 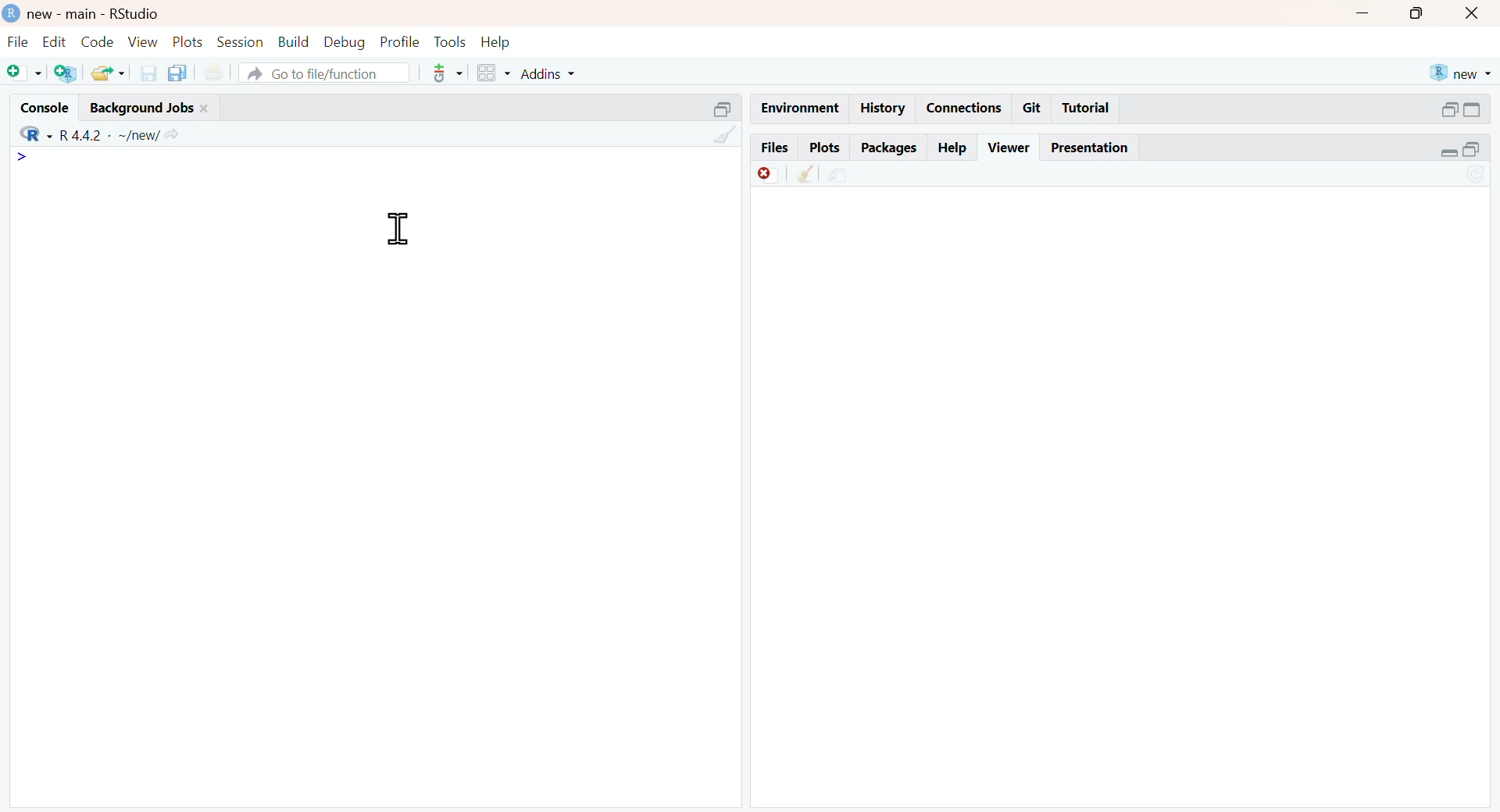 What do you see at coordinates (186, 40) in the screenshot?
I see `Plots` at bounding box center [186, 40].